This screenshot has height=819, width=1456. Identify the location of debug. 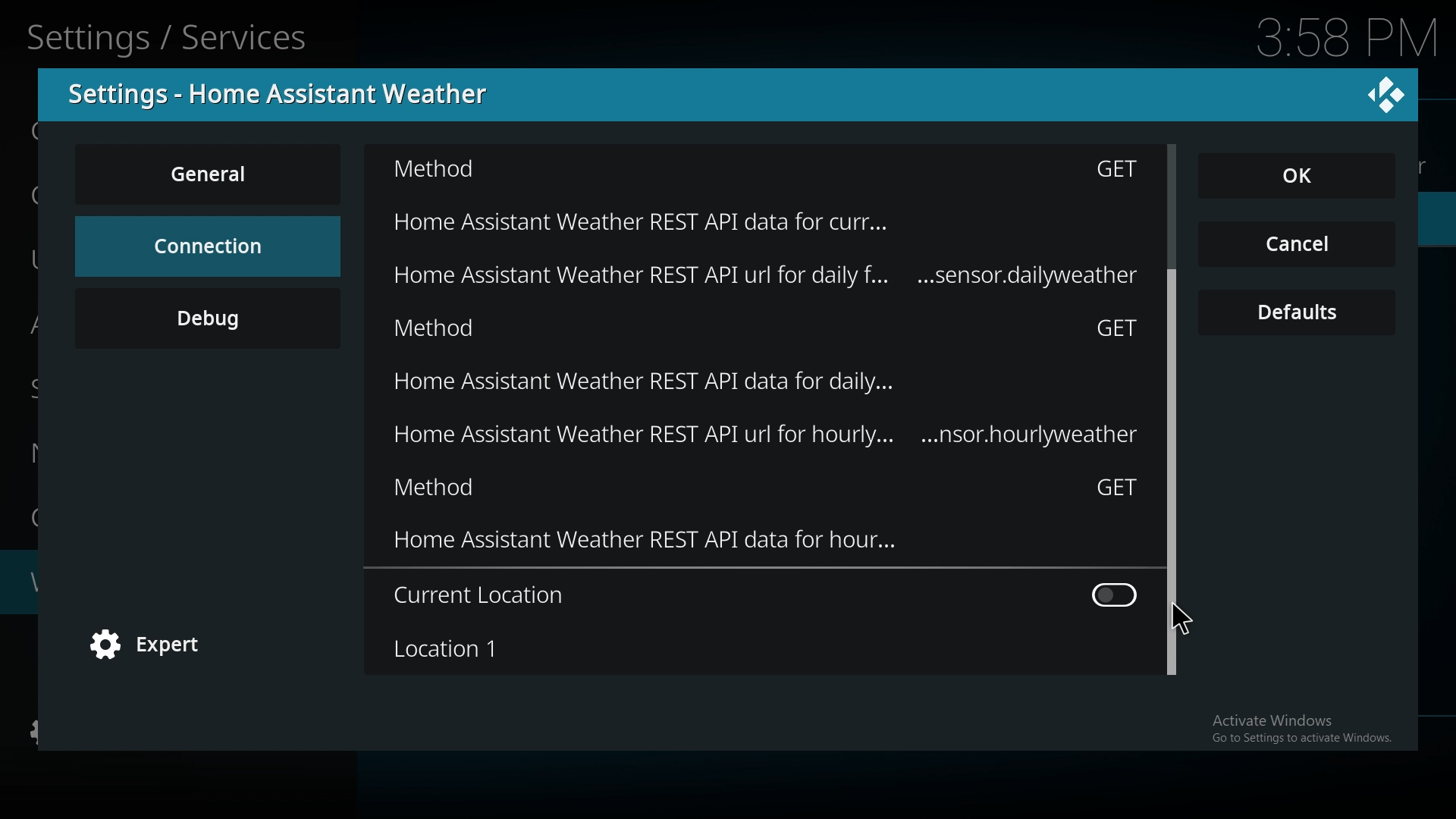
(208, 318).